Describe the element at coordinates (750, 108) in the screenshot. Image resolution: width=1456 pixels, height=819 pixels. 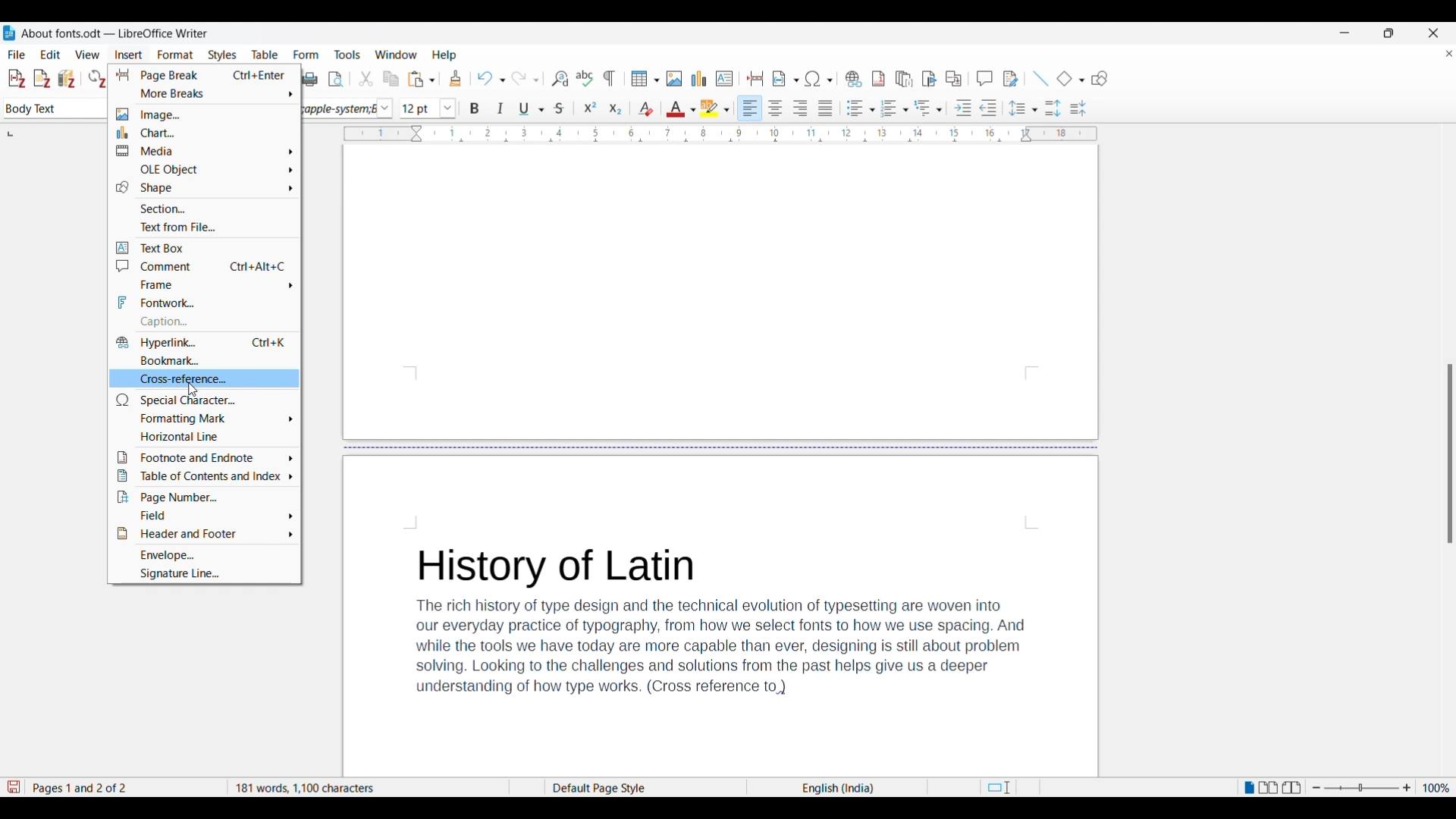
I see `Align left, current selection highlighted` at that location.